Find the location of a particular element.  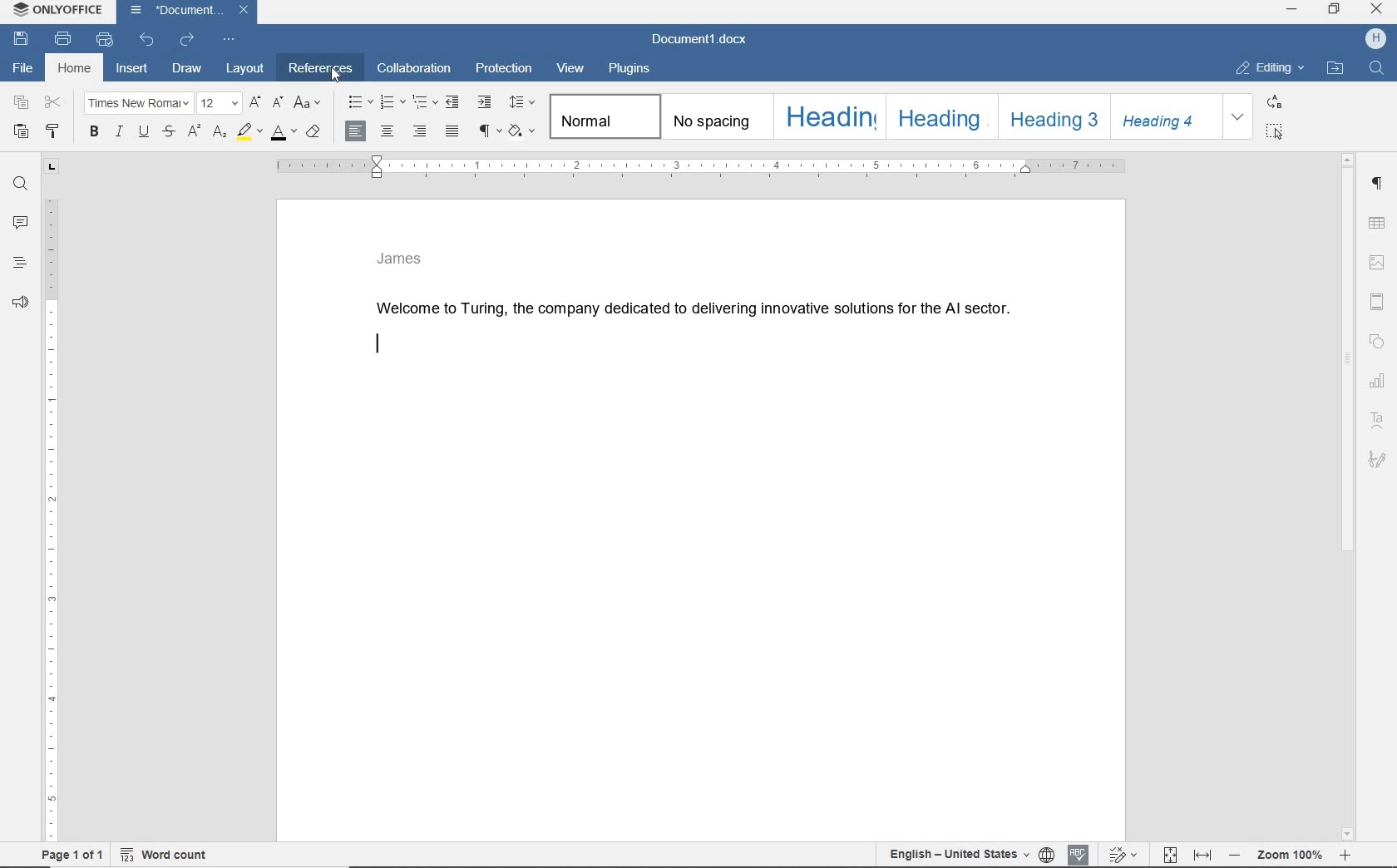

quick print is located at coordinates (103, 39).